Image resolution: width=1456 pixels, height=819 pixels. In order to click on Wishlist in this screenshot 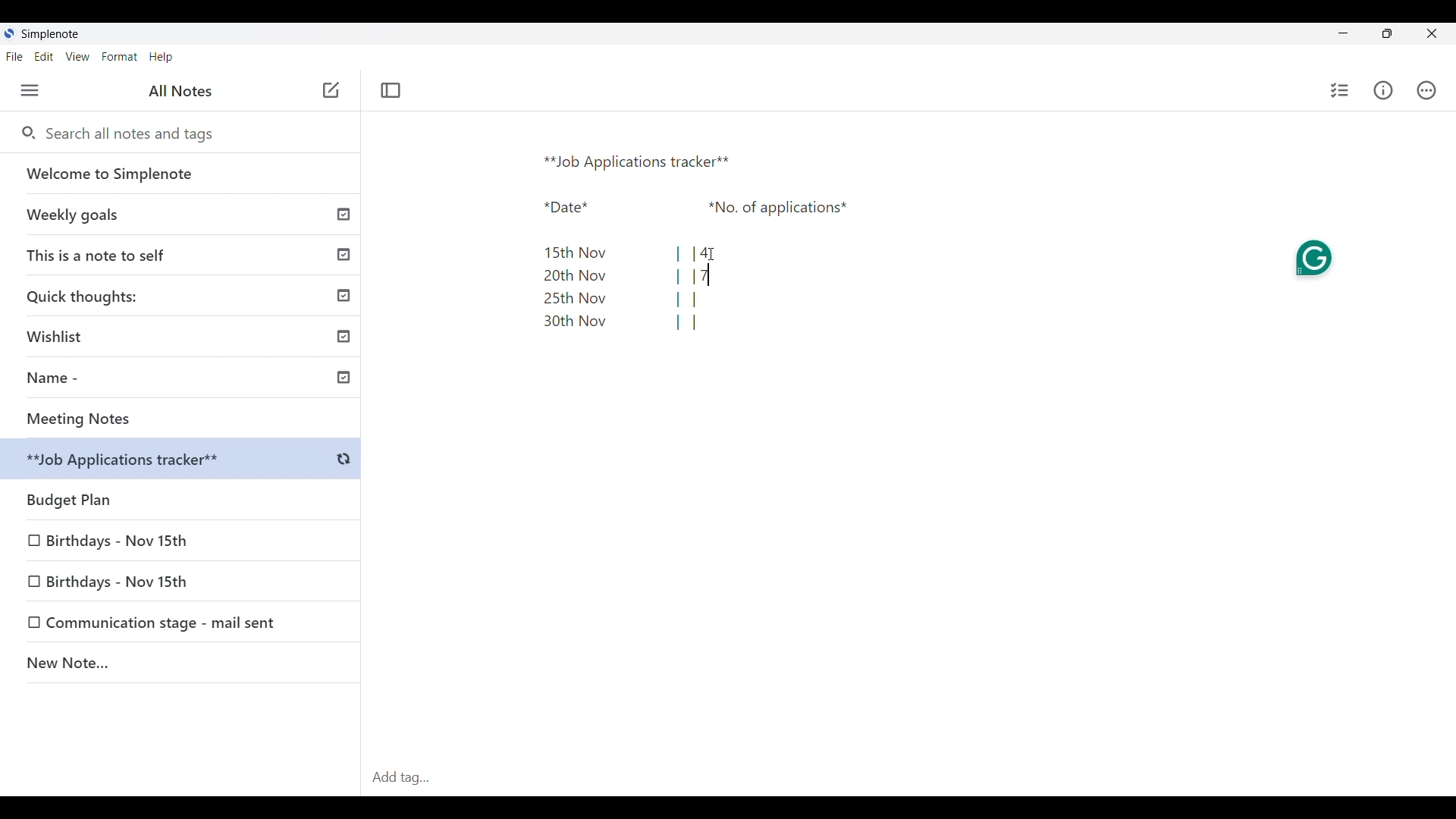, I will do `click(186, 334)`.